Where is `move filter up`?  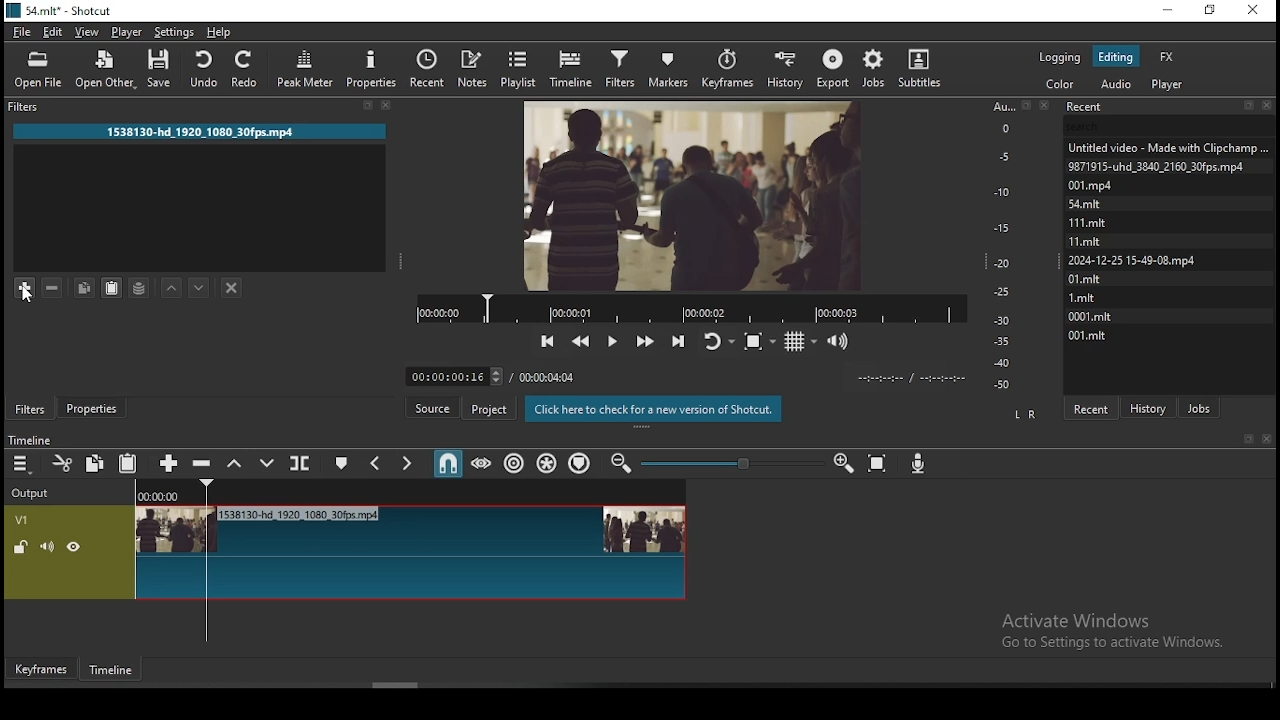 move filter up is located at coordinates (171, 289).